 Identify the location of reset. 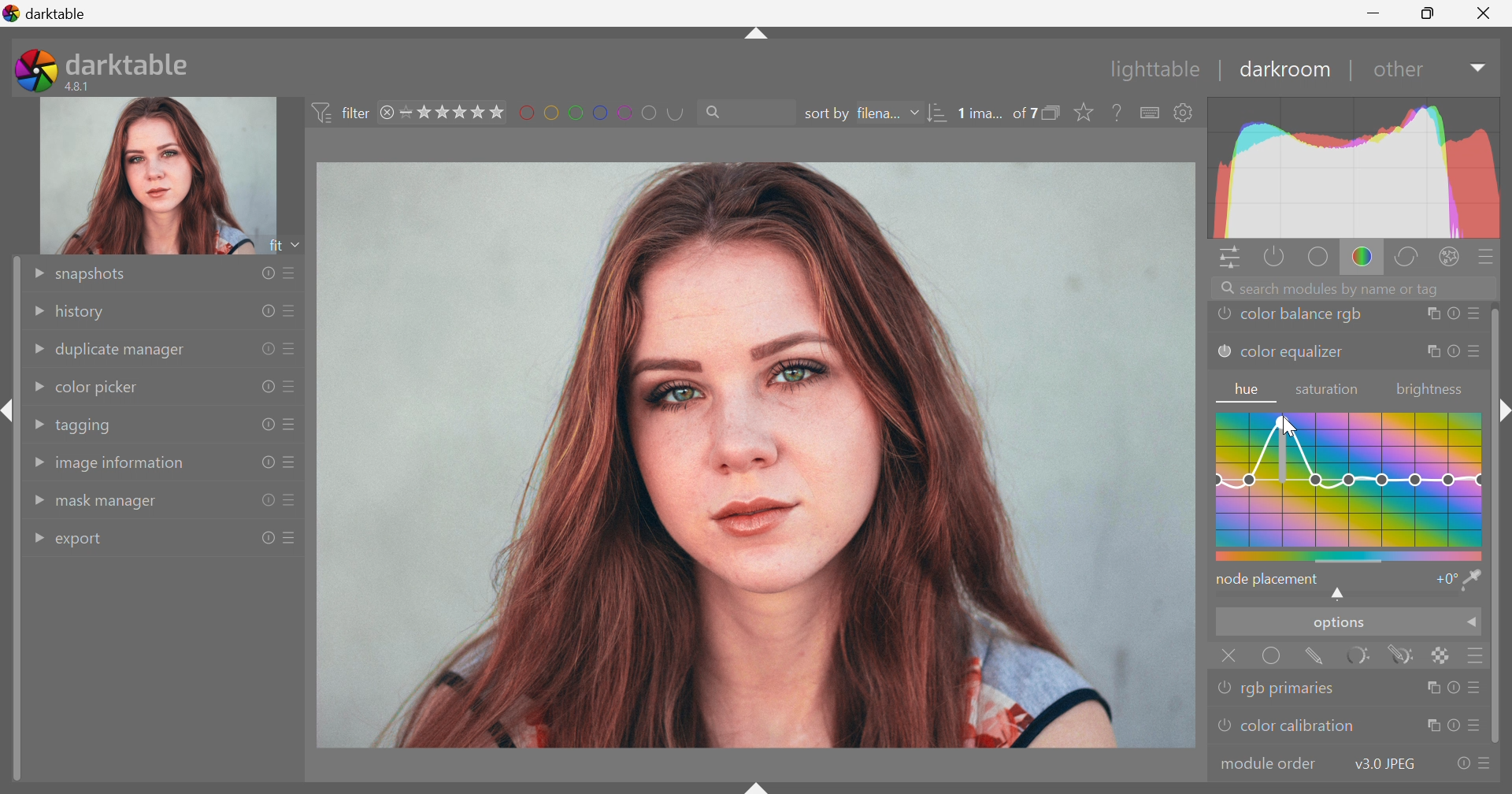
(1454, 687).